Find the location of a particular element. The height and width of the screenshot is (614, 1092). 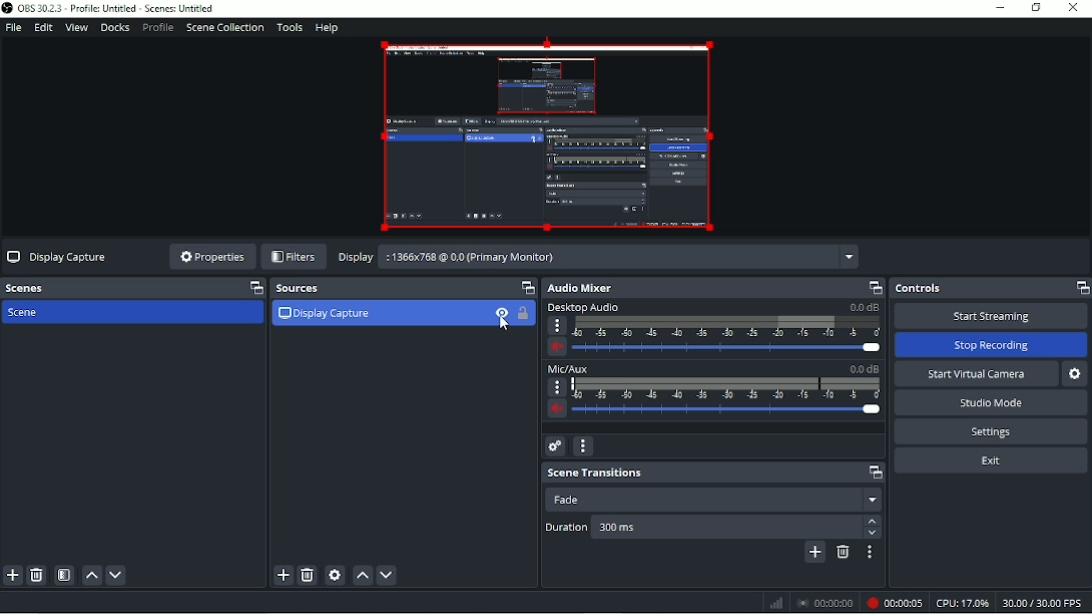

Mic/AUX is located at coordinates (714, 389).